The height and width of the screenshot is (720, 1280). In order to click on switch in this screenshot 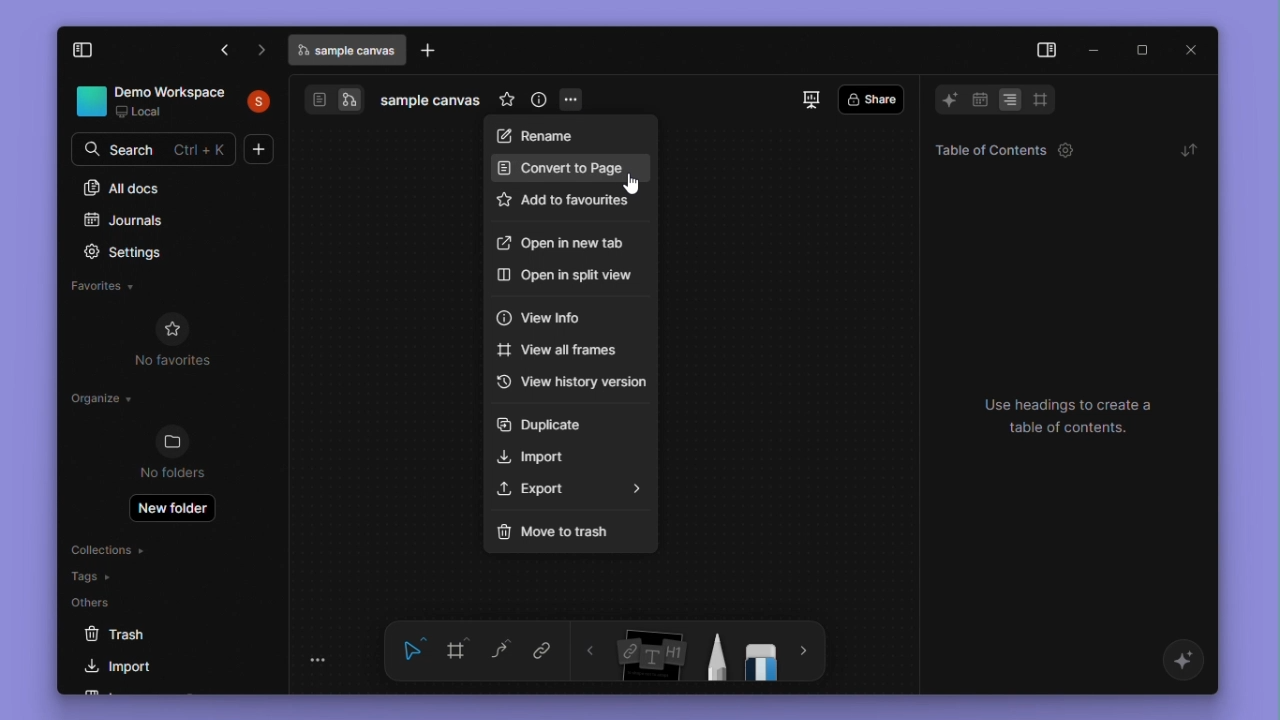, I will do `click(335, 100)`.